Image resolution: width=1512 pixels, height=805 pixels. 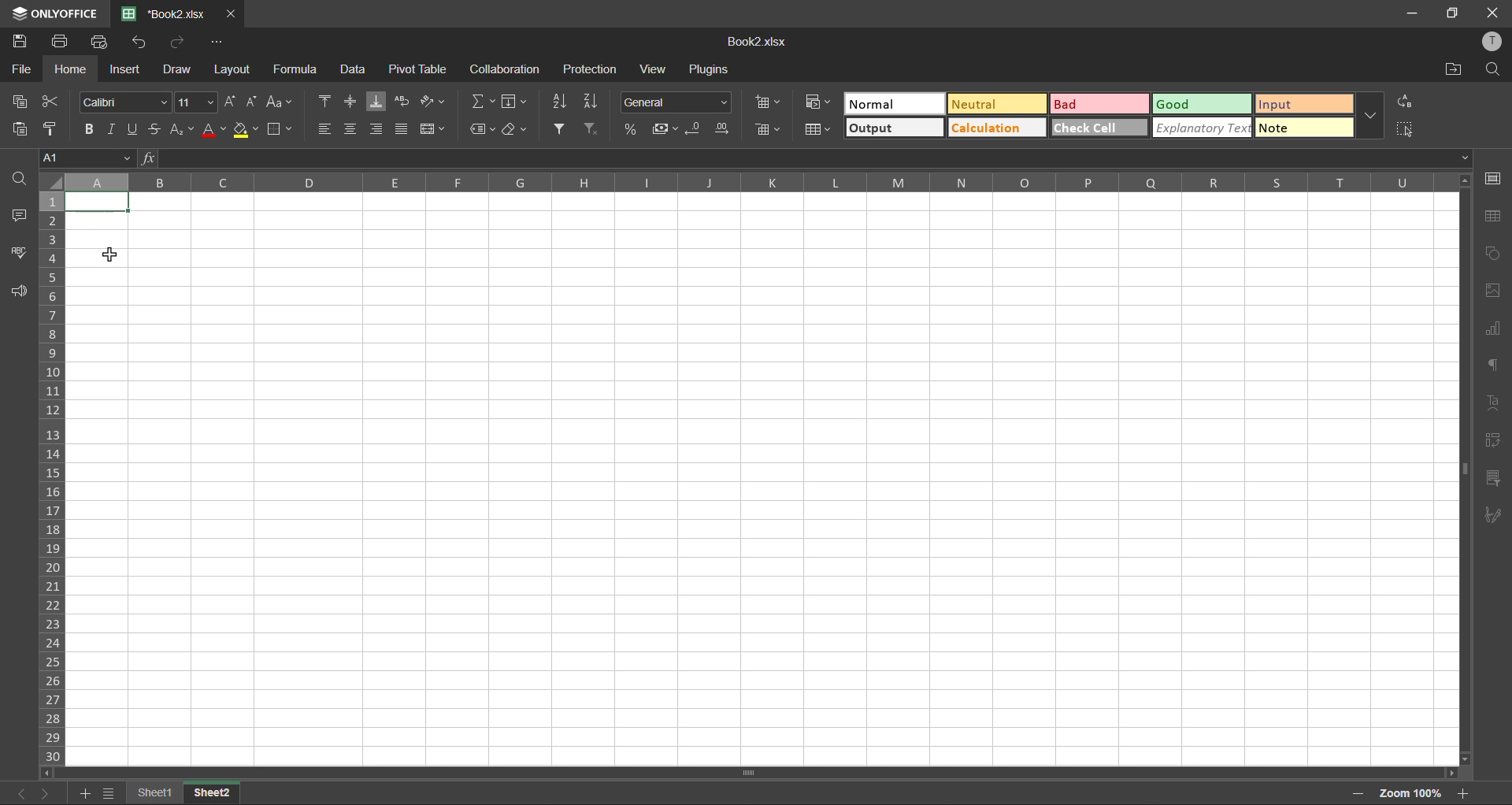 What do you see at coordinates (1368, 116) in the screenshot?
I see `more options` at bounding box center [1368, 116].